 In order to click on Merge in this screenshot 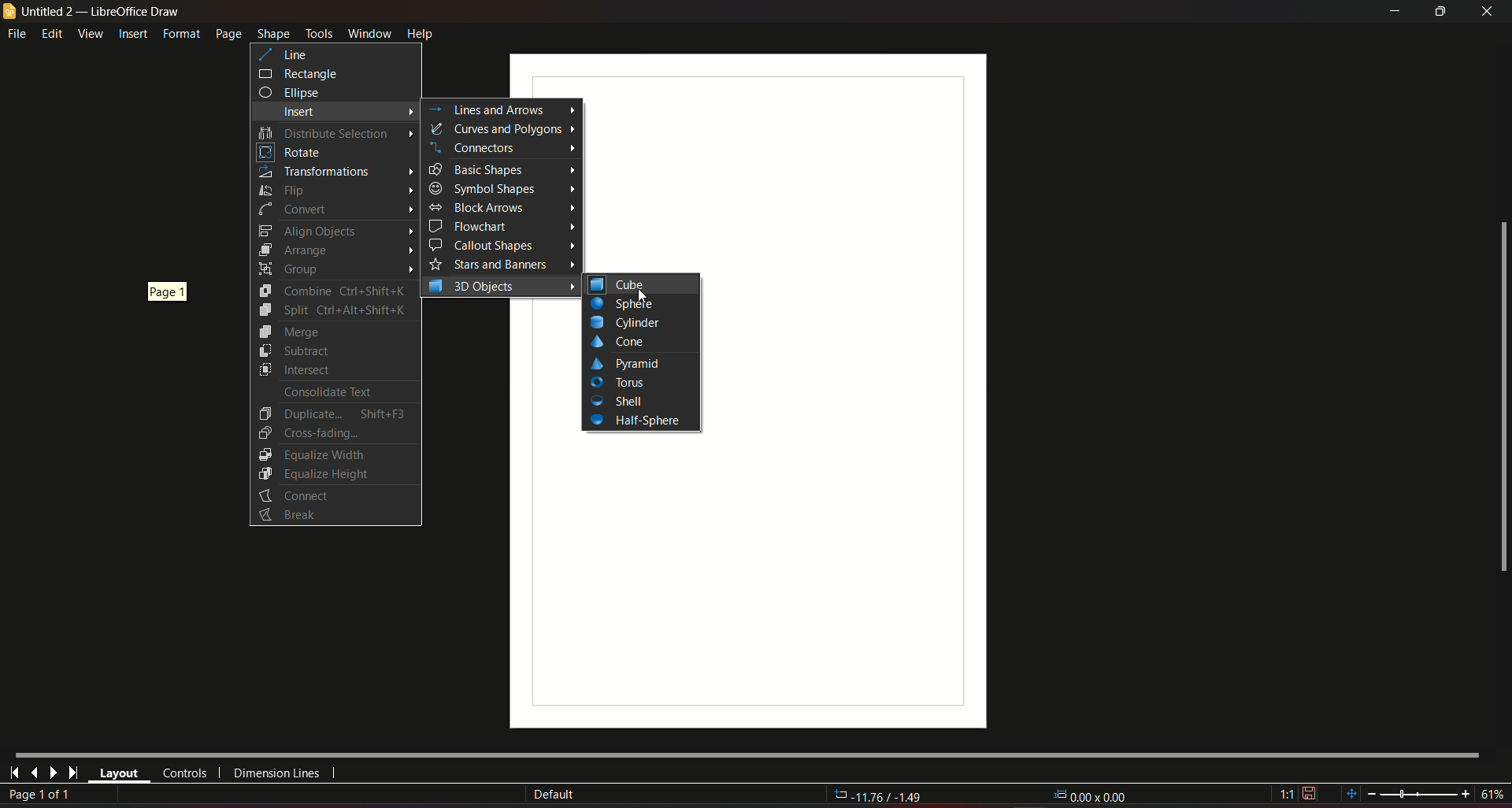, I will do `click(291, 332)`.